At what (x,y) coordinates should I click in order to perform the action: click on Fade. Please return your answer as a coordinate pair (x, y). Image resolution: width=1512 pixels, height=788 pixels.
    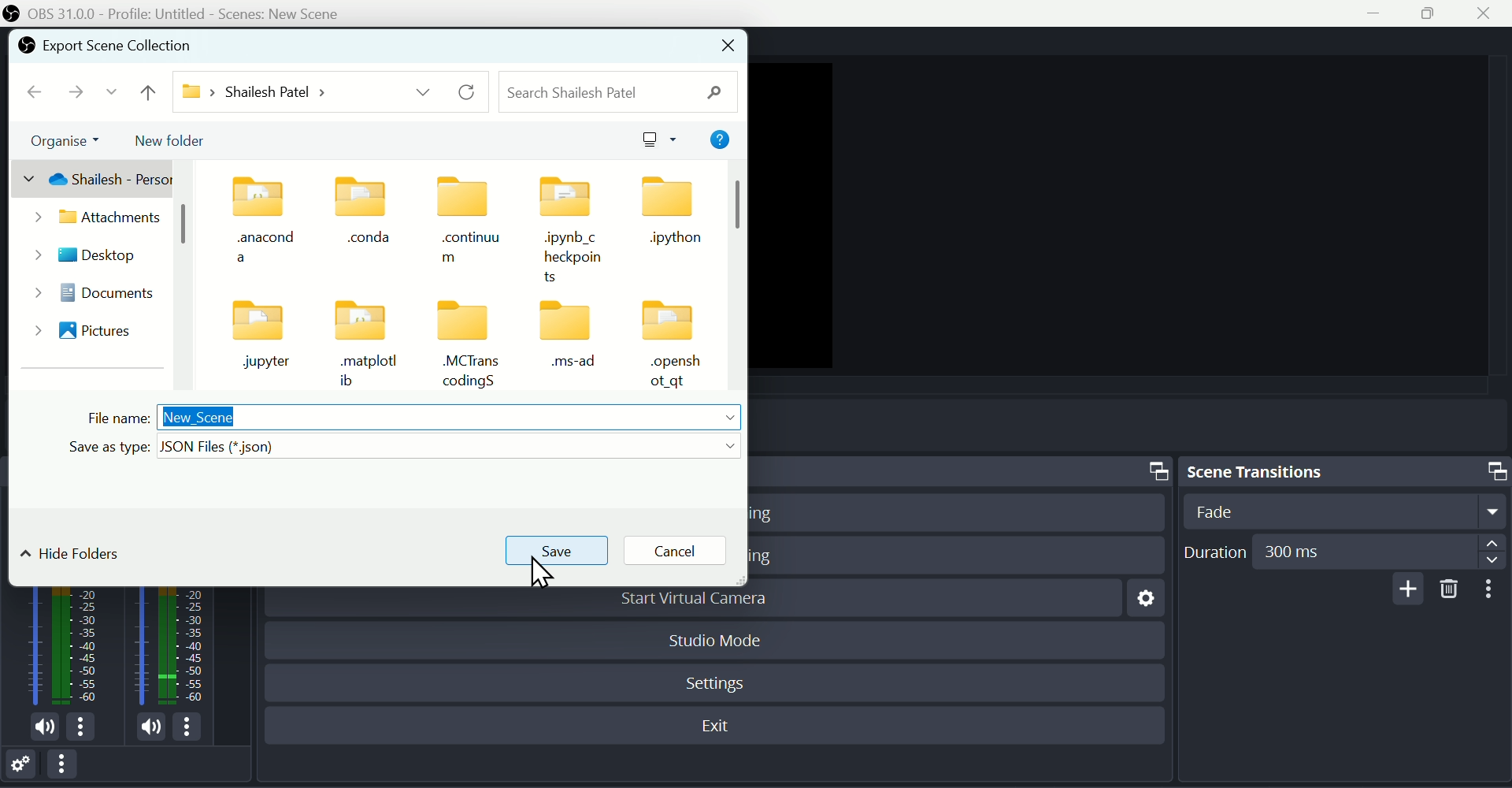
    Looking at the image, I should click on (1340, 511).